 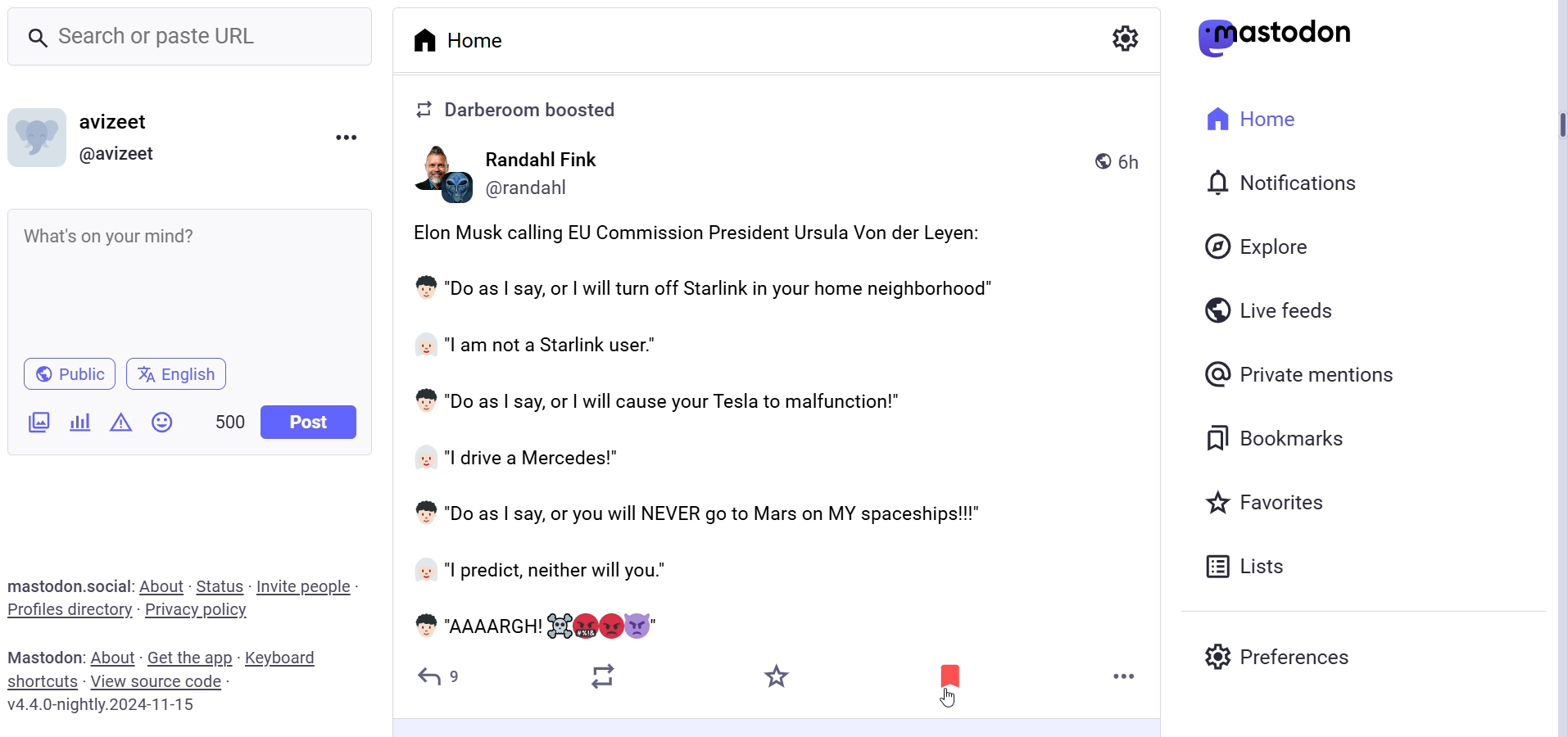 What do you see at coordinates (1259, 504) in the screenshot?
I see `Favorites` at bounding box center [1259, 504].